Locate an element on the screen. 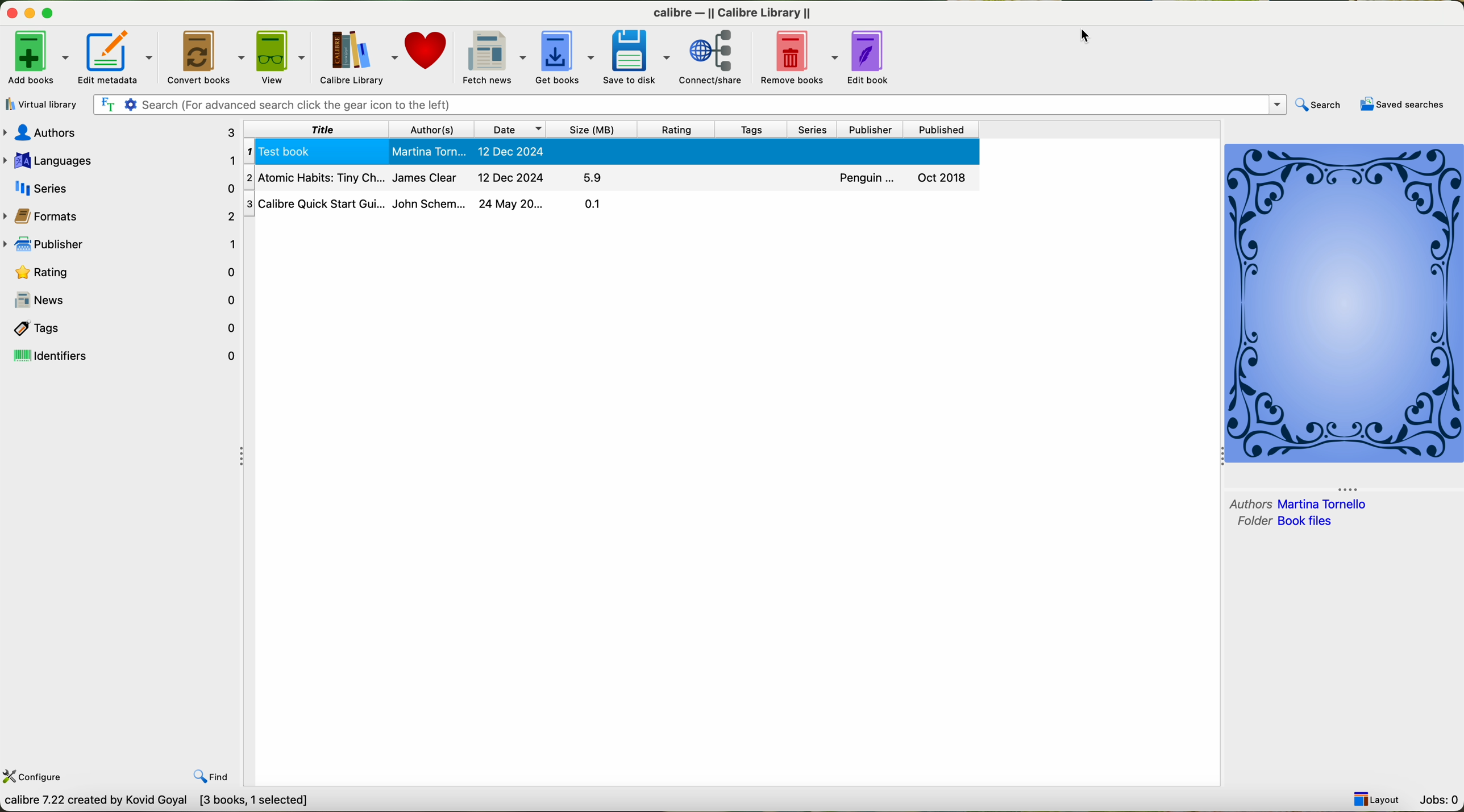 This screenshot has width=1464, height=812. Jobs: 0 is located at coordinates (1437, 801).